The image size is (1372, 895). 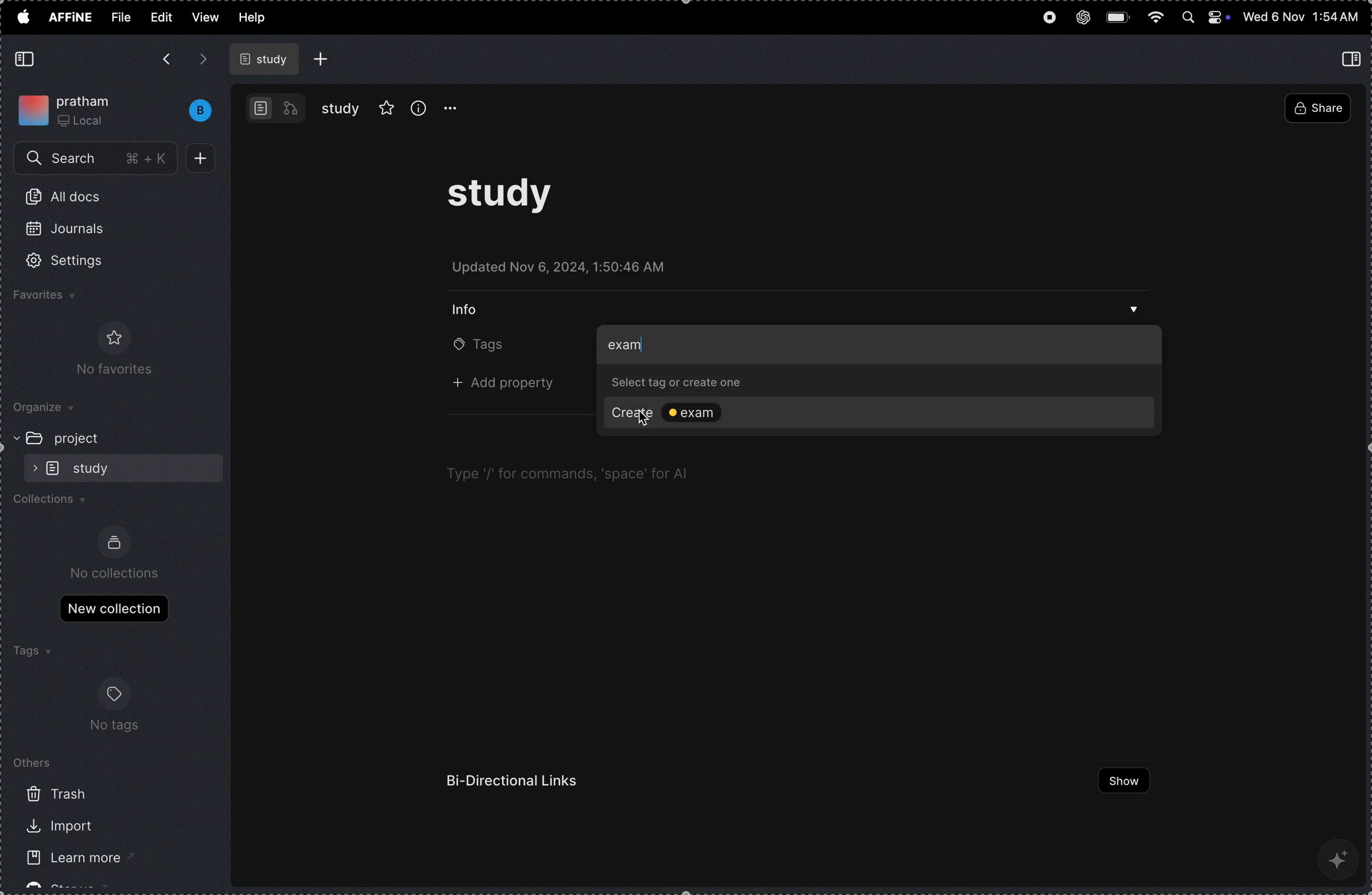 What do you see at coordinates (12, 437) in the screenshot?
I see `expand/collapse` at bounding box center [12, 437].